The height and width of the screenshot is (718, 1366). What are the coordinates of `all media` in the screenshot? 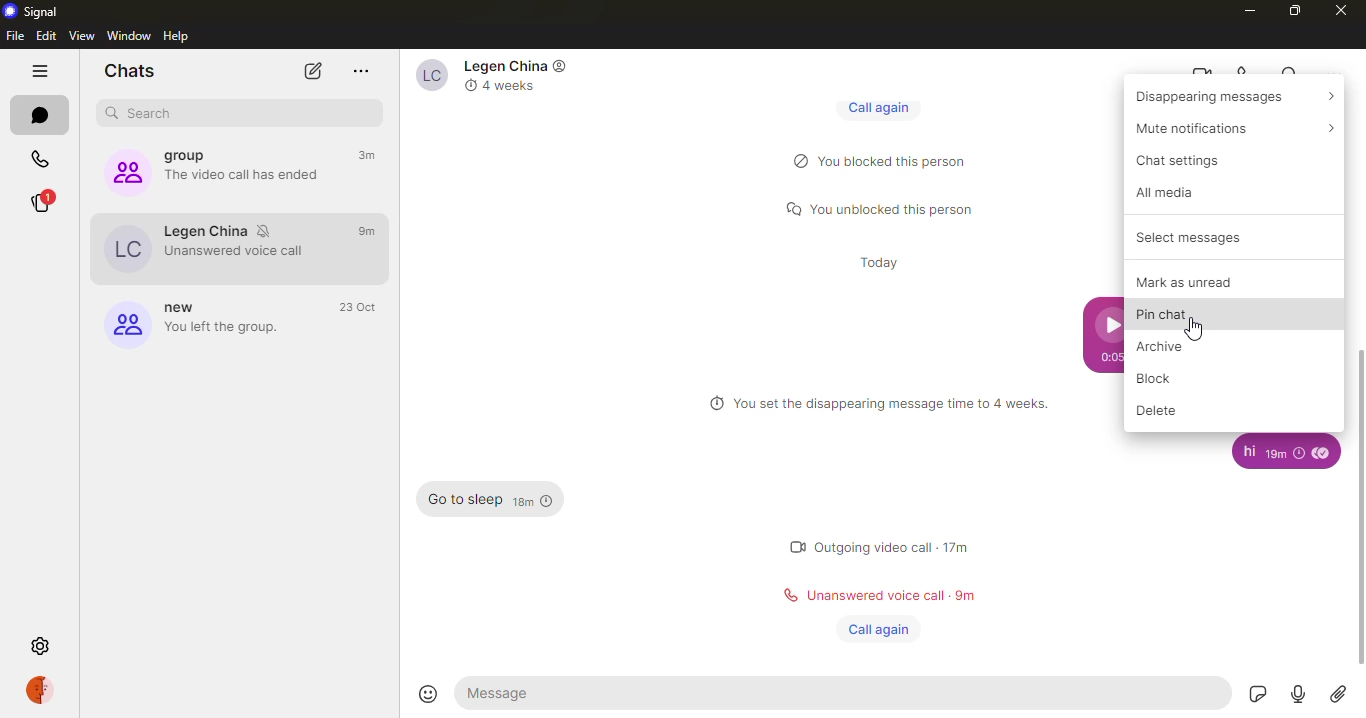 It's located at (1188, 194).